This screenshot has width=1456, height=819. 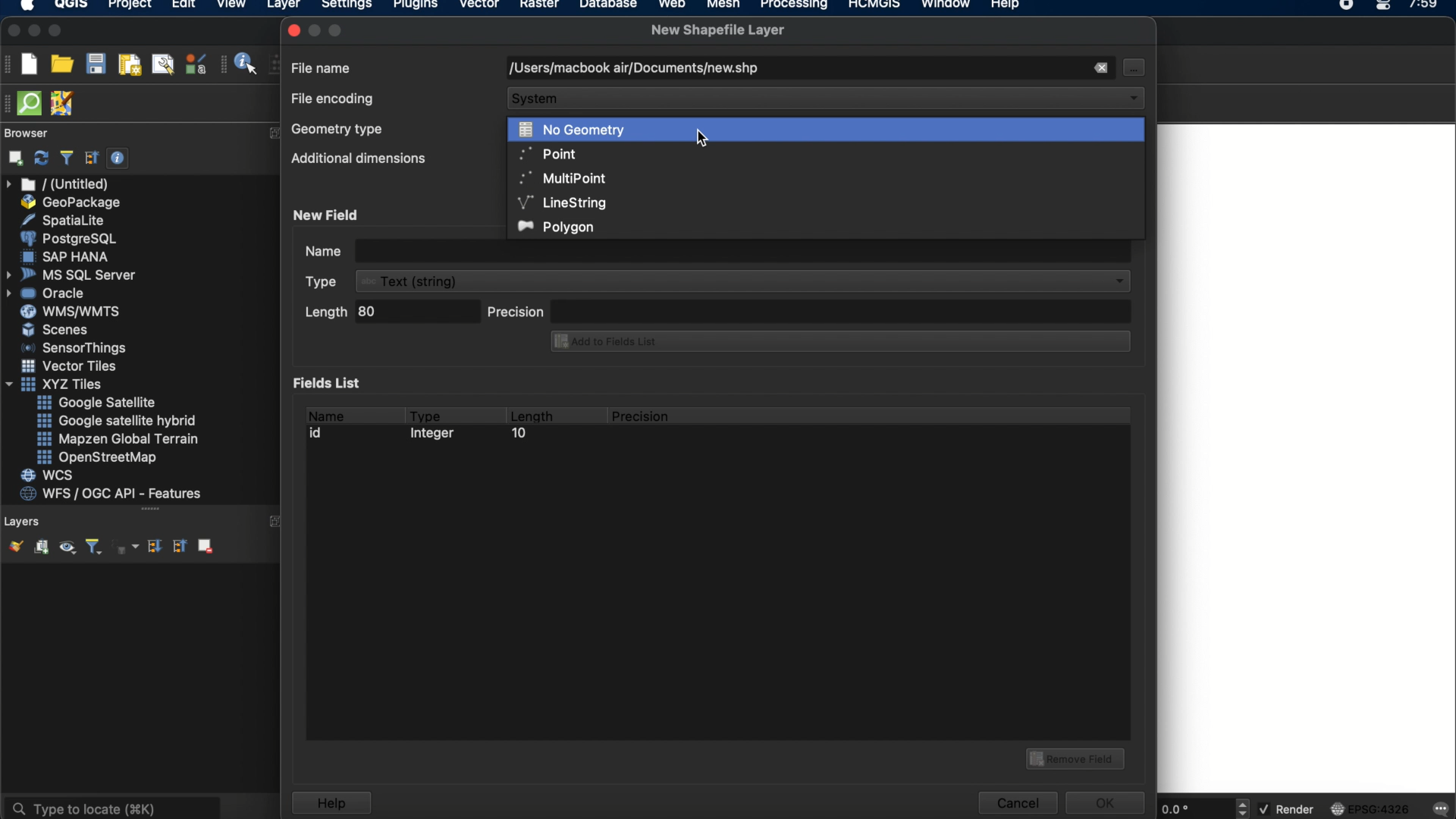 I want to click on toggle buttons, so click(x=1244, y=808).